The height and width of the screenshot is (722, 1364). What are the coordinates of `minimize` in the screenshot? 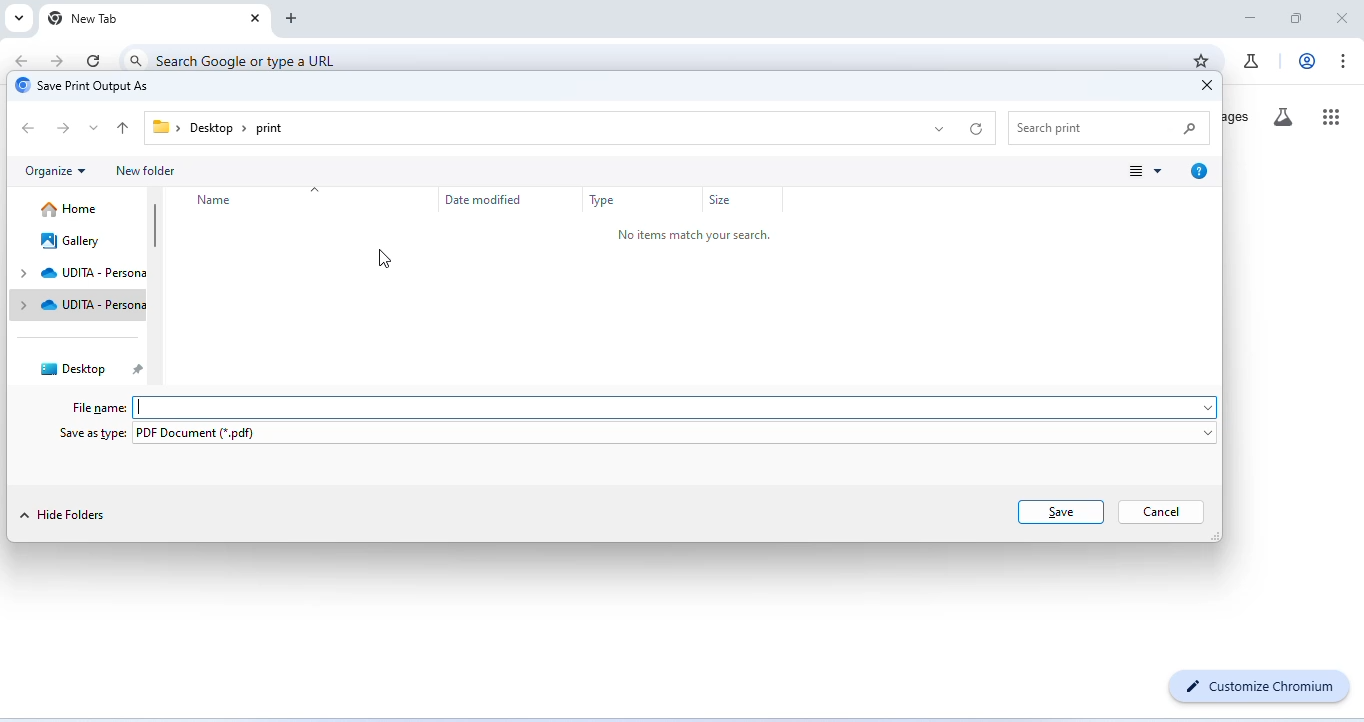 It's located at (1250, 19).